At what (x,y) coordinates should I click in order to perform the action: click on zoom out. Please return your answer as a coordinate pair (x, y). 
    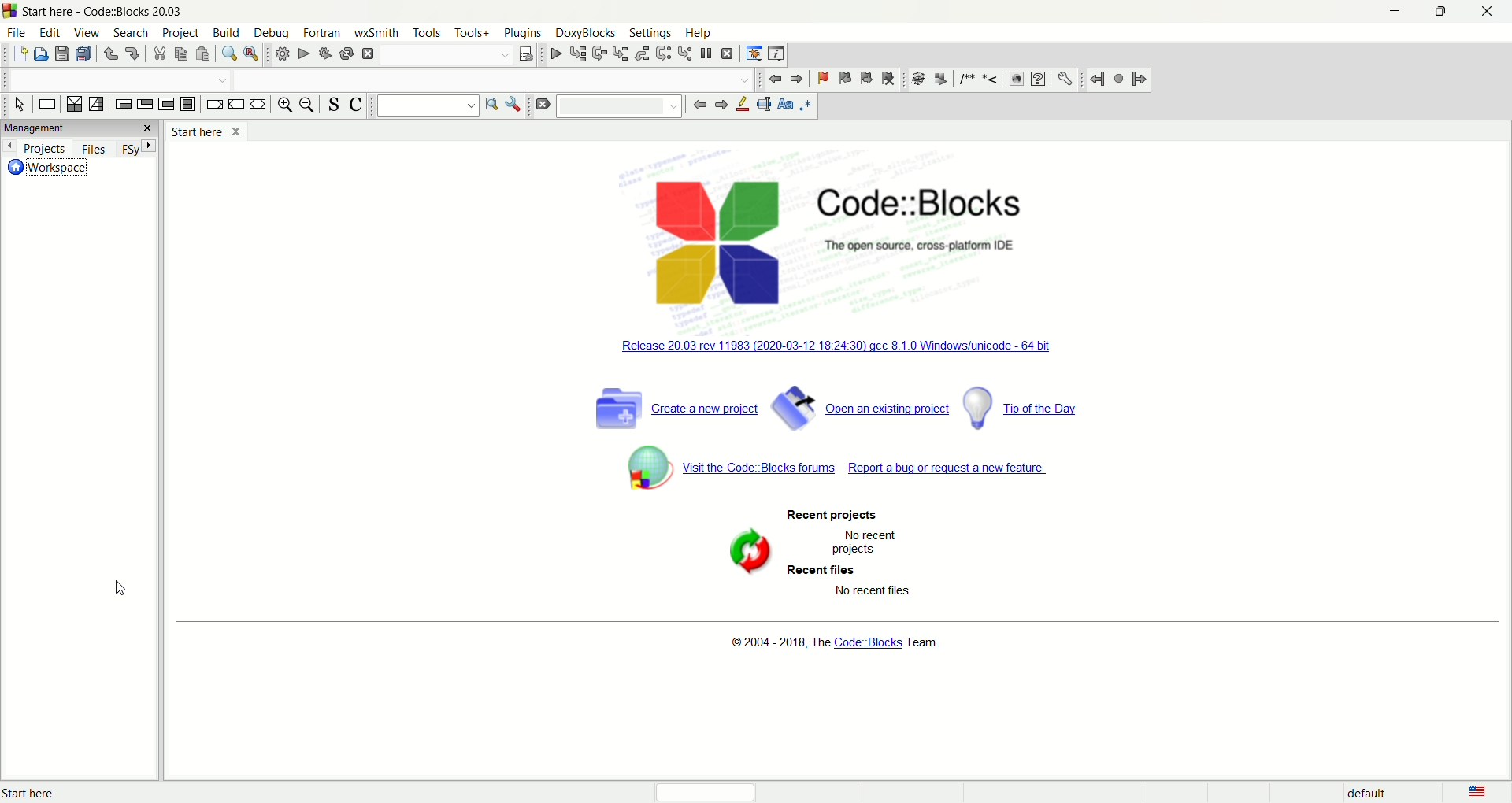
    Looking at the image, I should click on (307, 105).